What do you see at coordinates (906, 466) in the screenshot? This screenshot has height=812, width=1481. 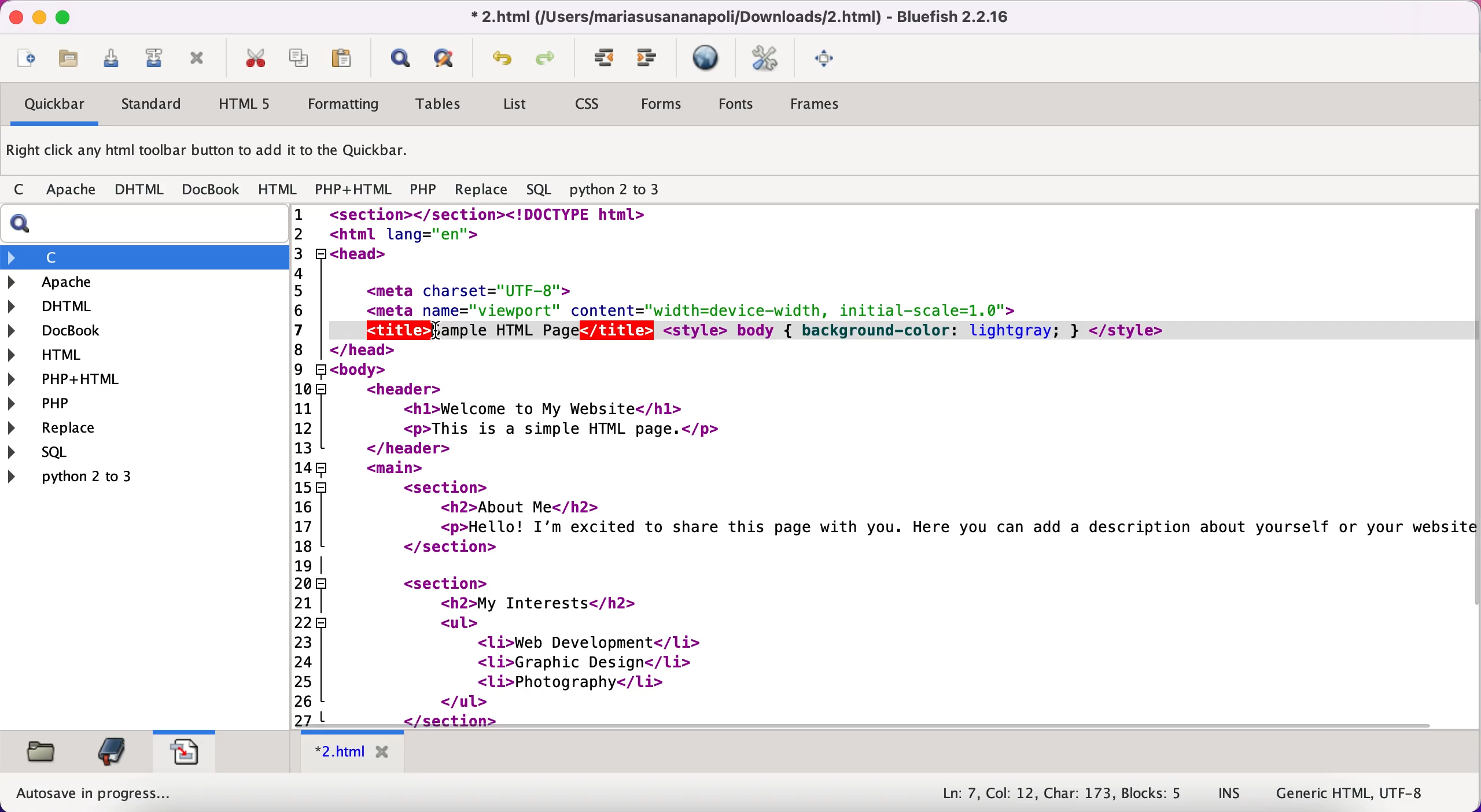 I see `Html code to create a website. It talks about "This is my website" in the header. In the <main> section it says "Hello! I am excited to share this page with you." It also lists different interests under "My interests" and provides the html code for designing the entire structure of the website. ` at bounding box center [906, 466].